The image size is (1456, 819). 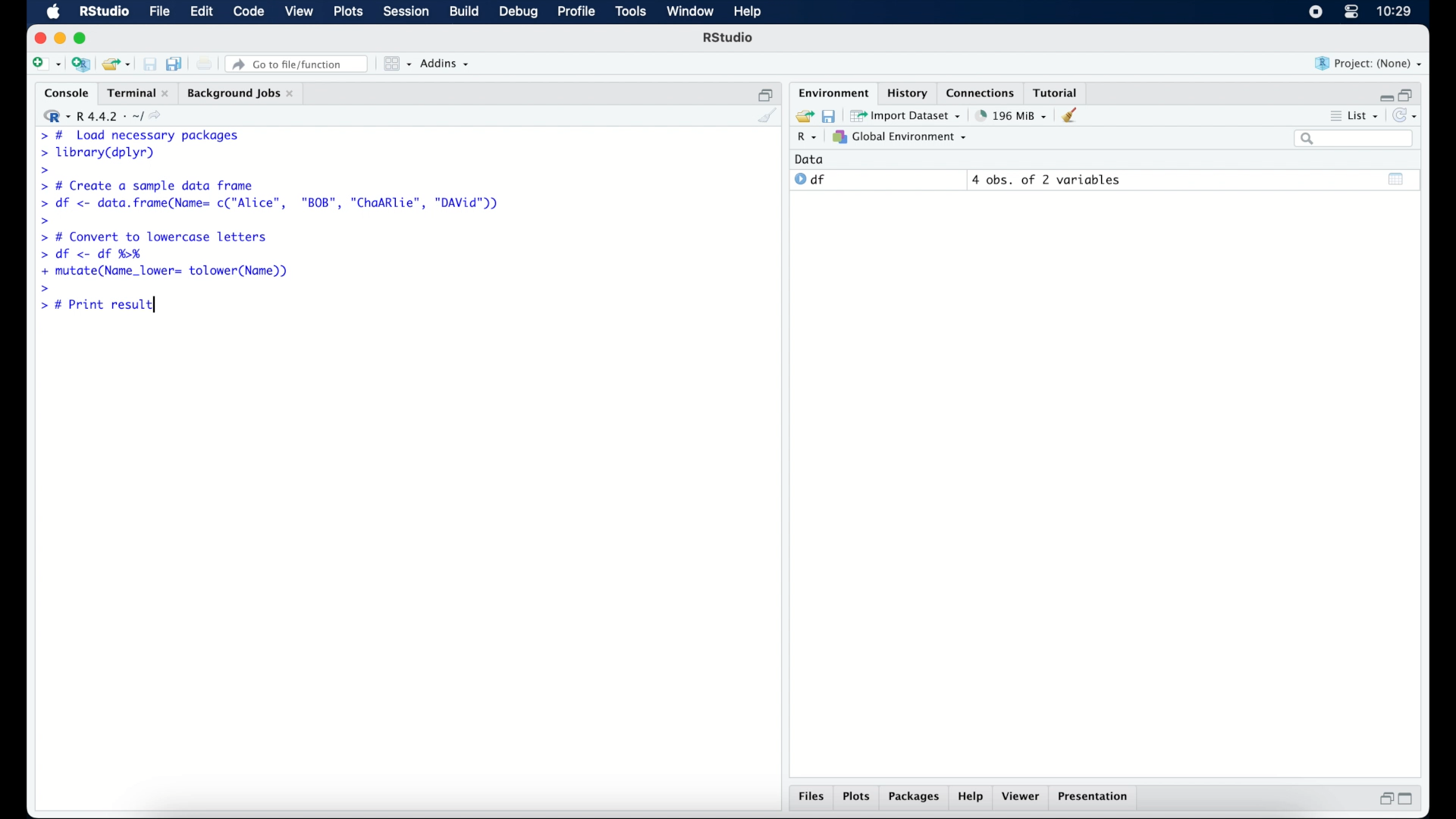 I want to click on df, so click(x=810, y=180).